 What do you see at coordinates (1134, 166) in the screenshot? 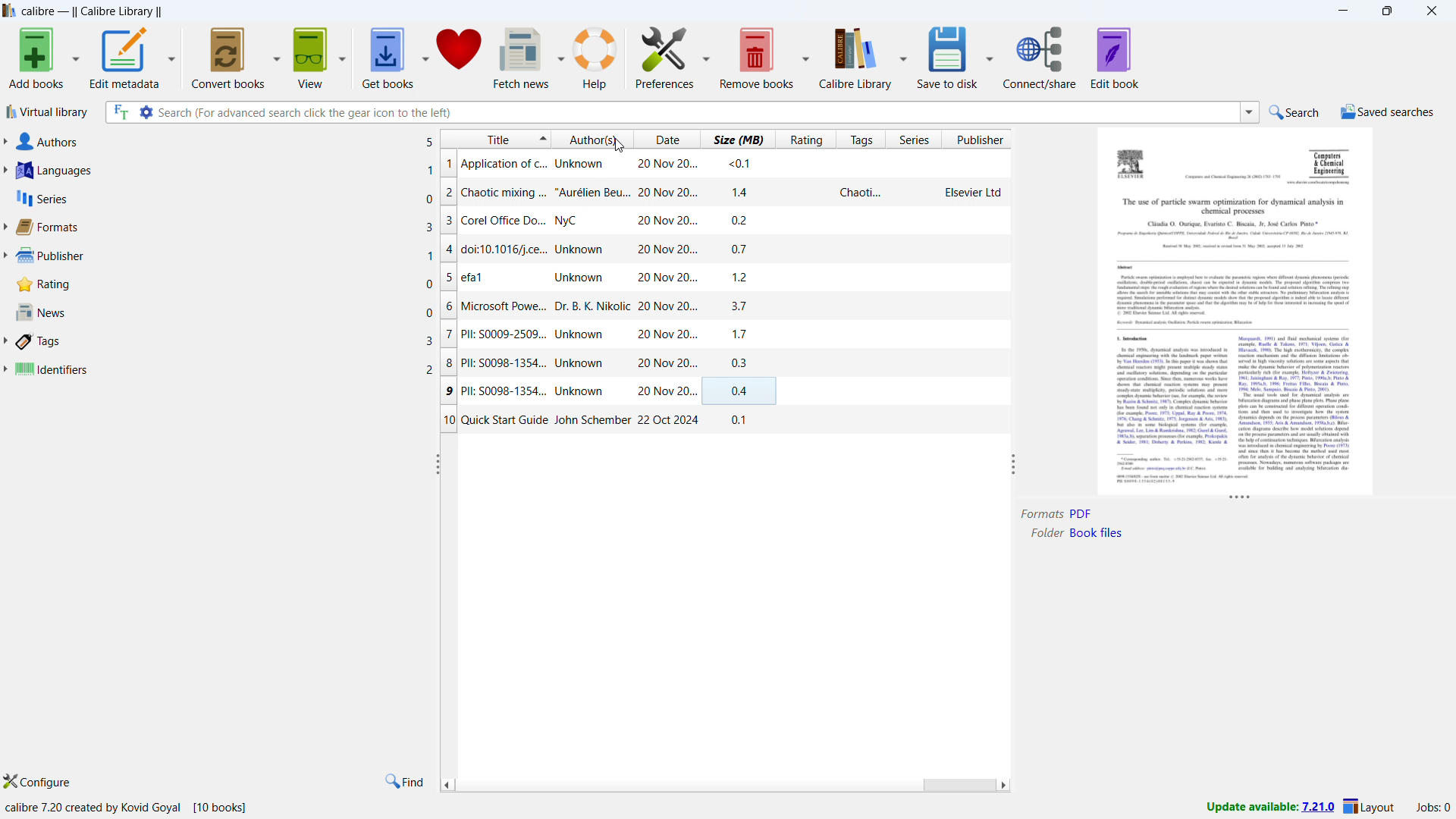
I see `` at bounding box center [1134, 166].